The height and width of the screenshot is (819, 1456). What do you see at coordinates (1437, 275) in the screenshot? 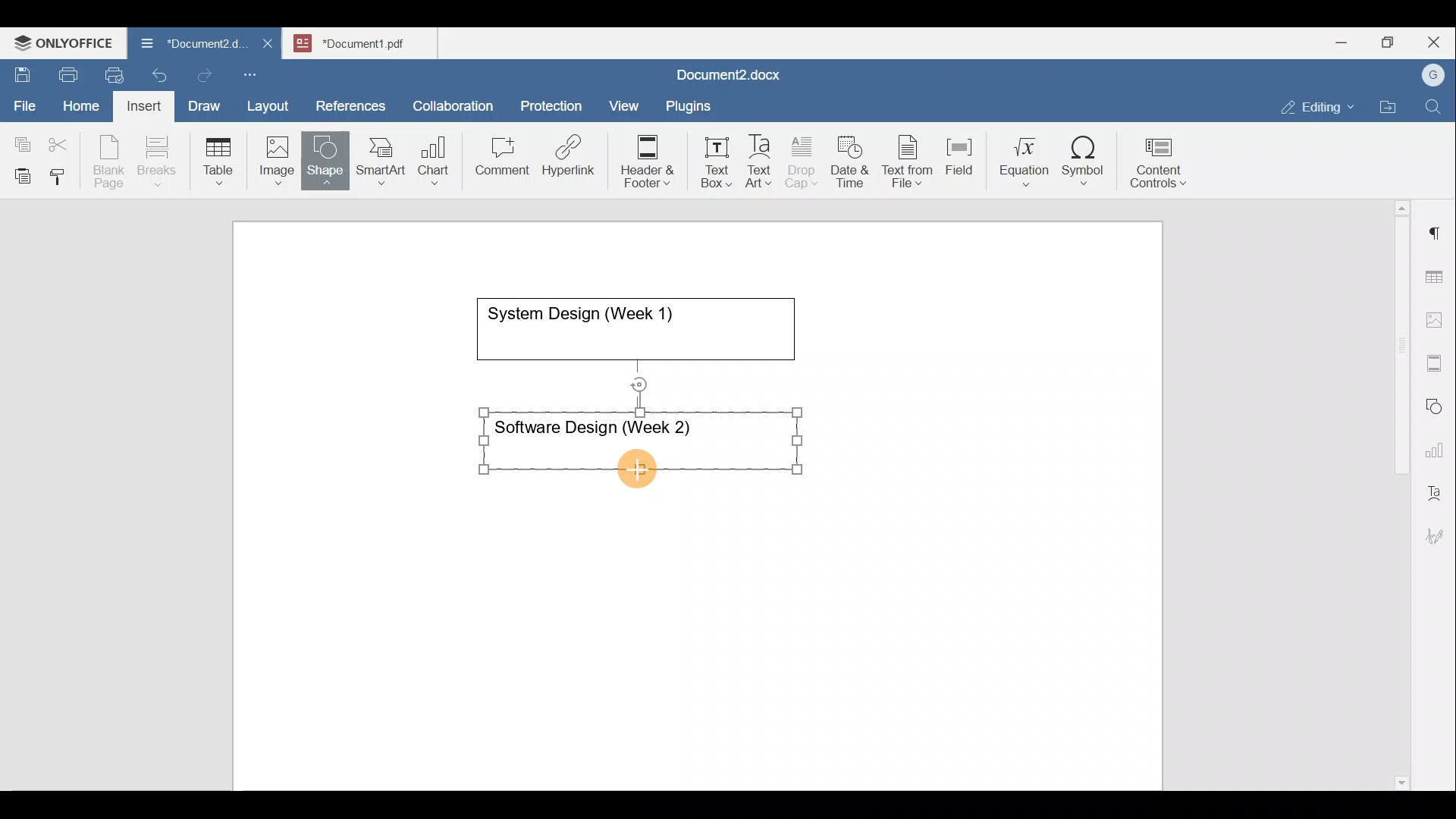
I see `Table settings` at bounding box center [1437, 275].